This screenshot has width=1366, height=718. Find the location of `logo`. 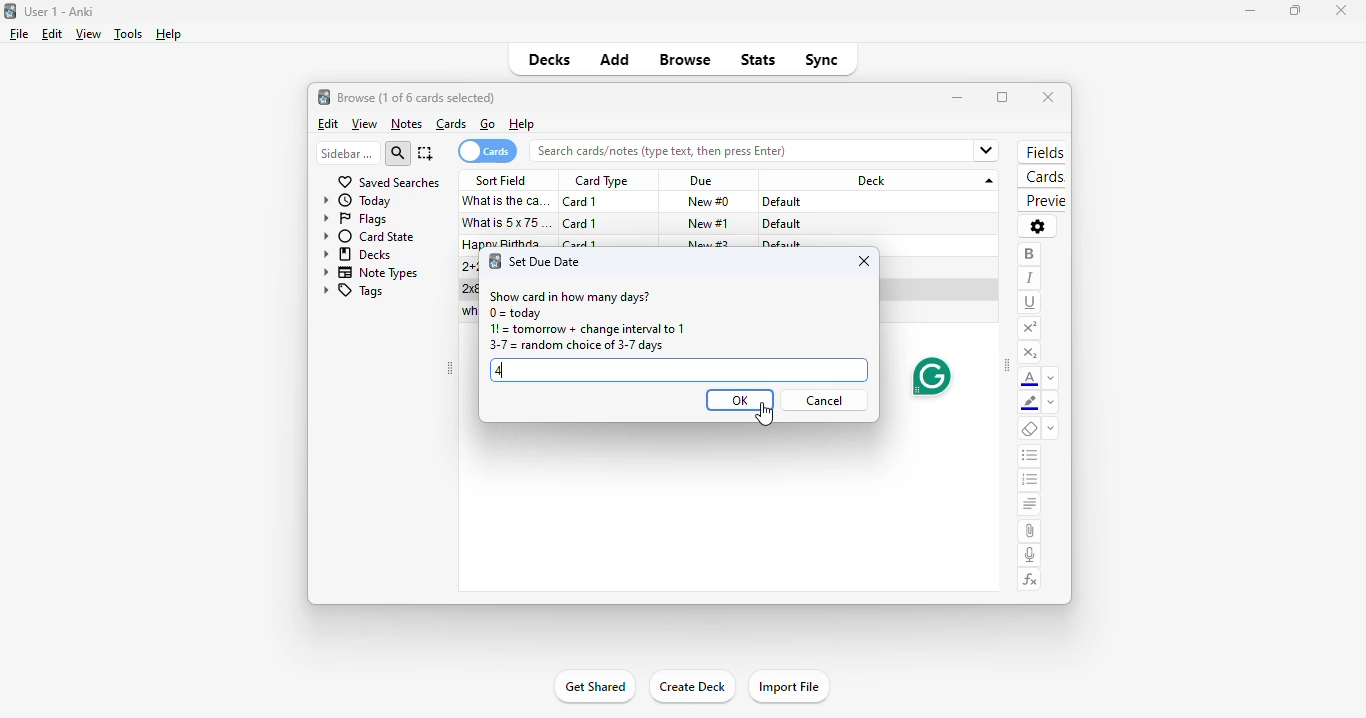

logo is located at coordinates (493, 262).